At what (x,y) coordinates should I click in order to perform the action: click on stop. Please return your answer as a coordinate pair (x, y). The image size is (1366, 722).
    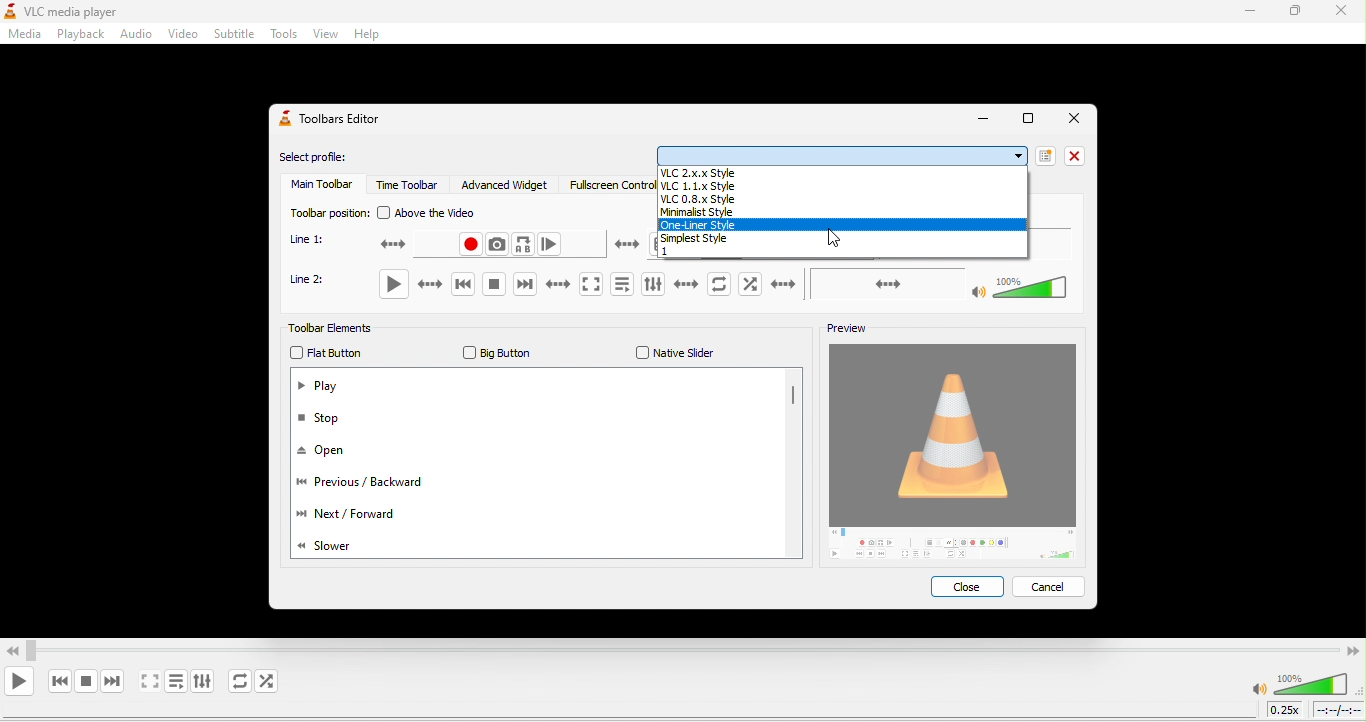
    Looking at the image, I should click on (333, 423).